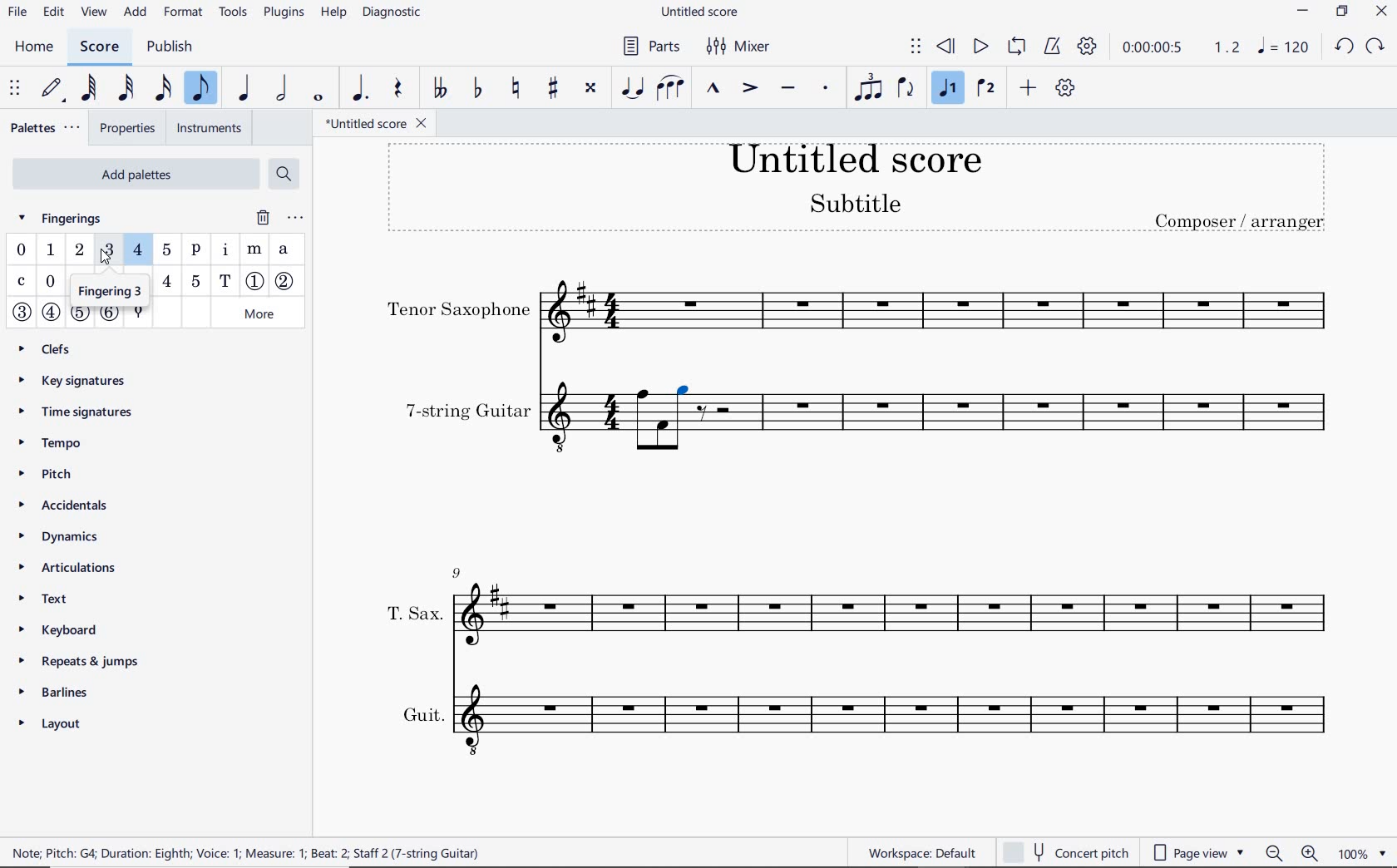  What do you see at coordinates (106, 287) in the screenshot?
I see `fingering 3` at bounding box center [106, 287].